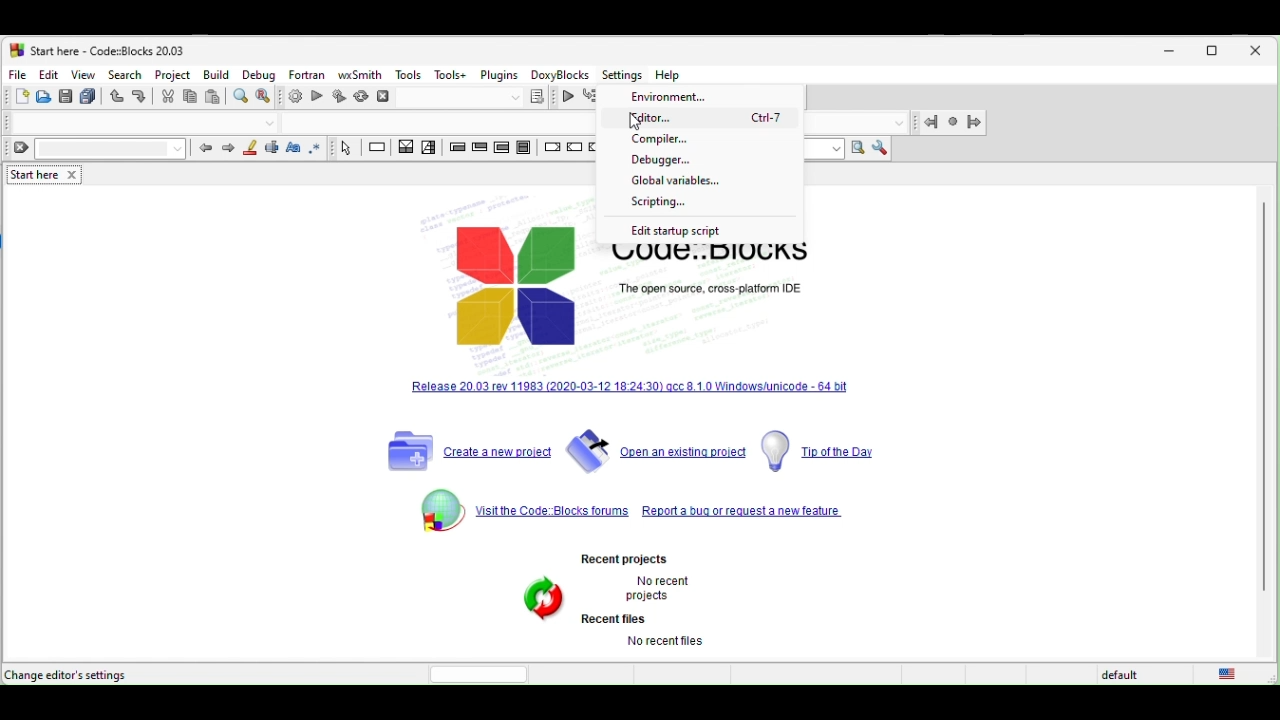  What do you see at coordinates (568, 97) in the screenshot?
I see `continue` at bounding box center [568, 97].